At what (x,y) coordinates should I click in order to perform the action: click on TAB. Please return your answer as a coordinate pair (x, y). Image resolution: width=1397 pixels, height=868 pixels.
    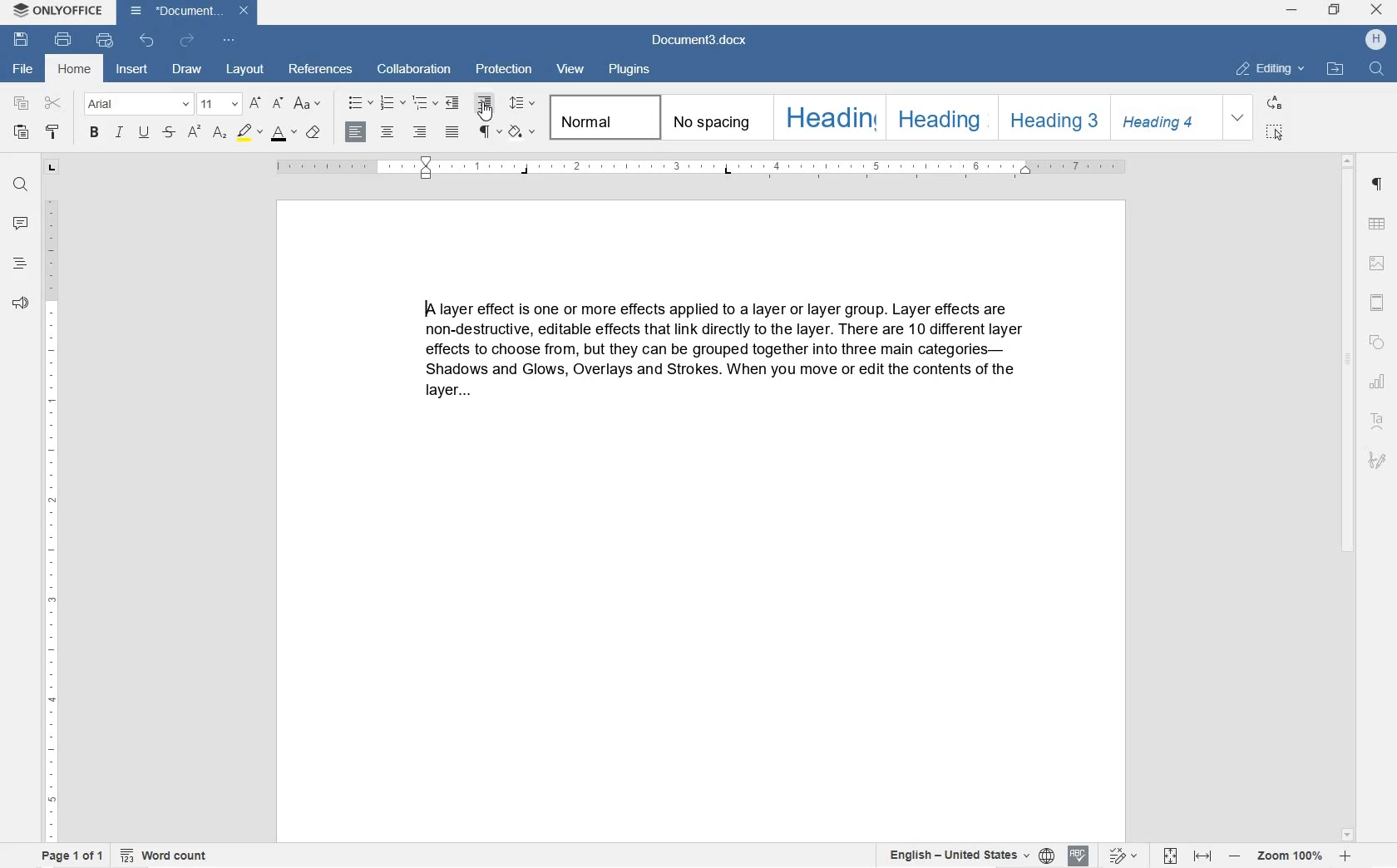
    Looking at the image, I should click on (51, 170).